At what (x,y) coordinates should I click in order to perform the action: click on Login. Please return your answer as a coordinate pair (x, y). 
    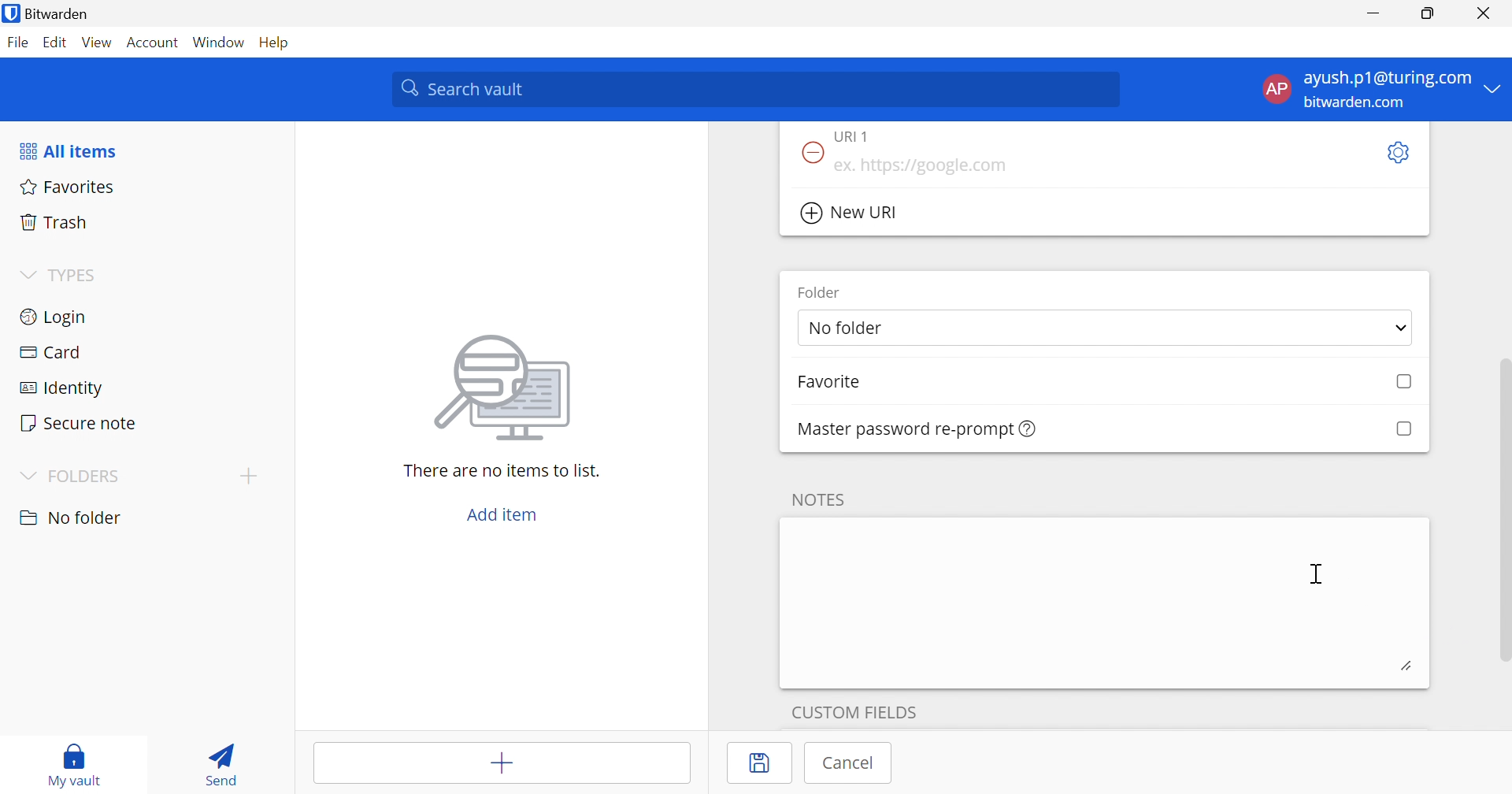
    Looking at the image, I should click on (55, 315).